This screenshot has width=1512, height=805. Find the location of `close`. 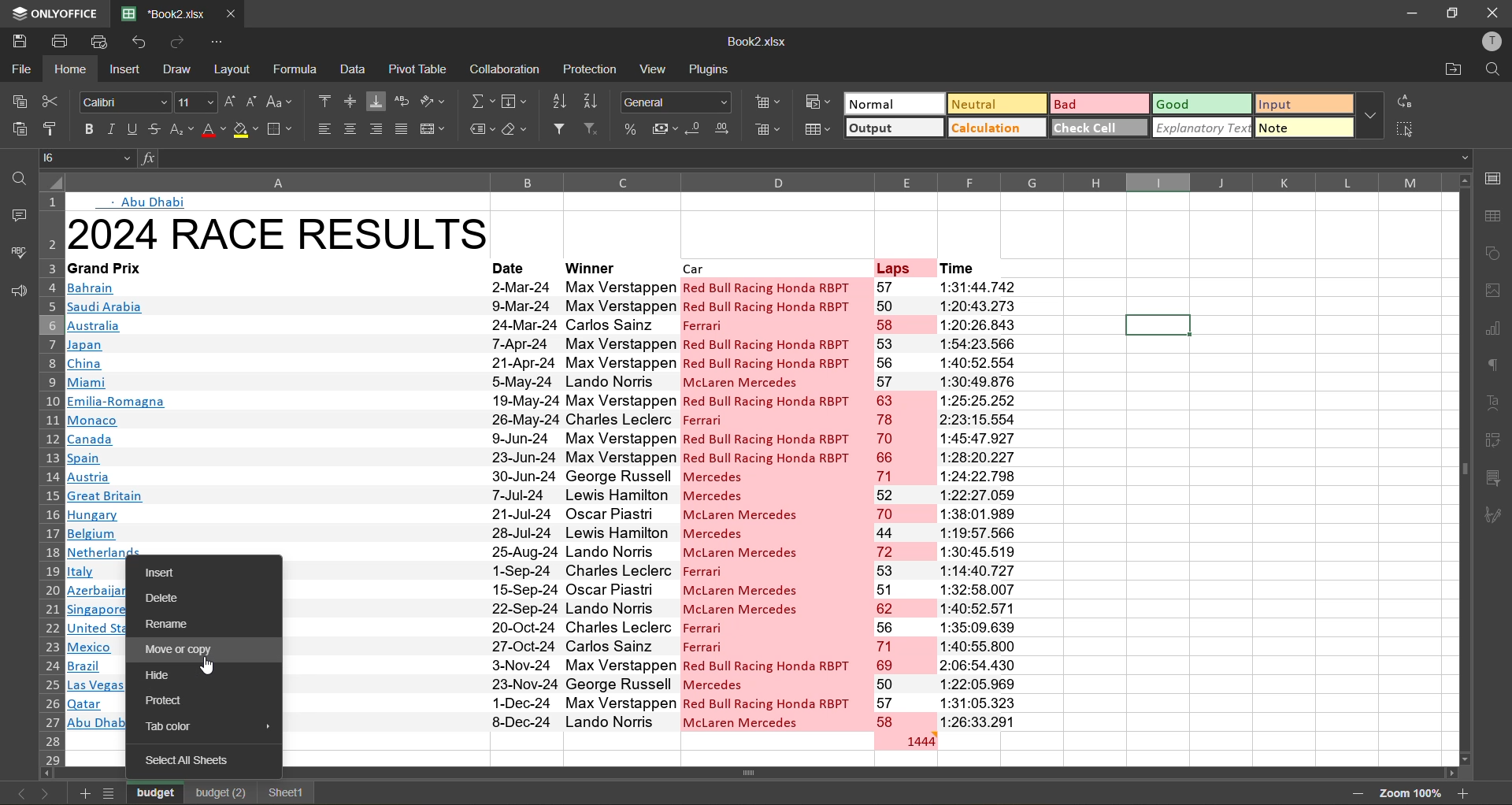

close is located at coordinates (1493, 13).